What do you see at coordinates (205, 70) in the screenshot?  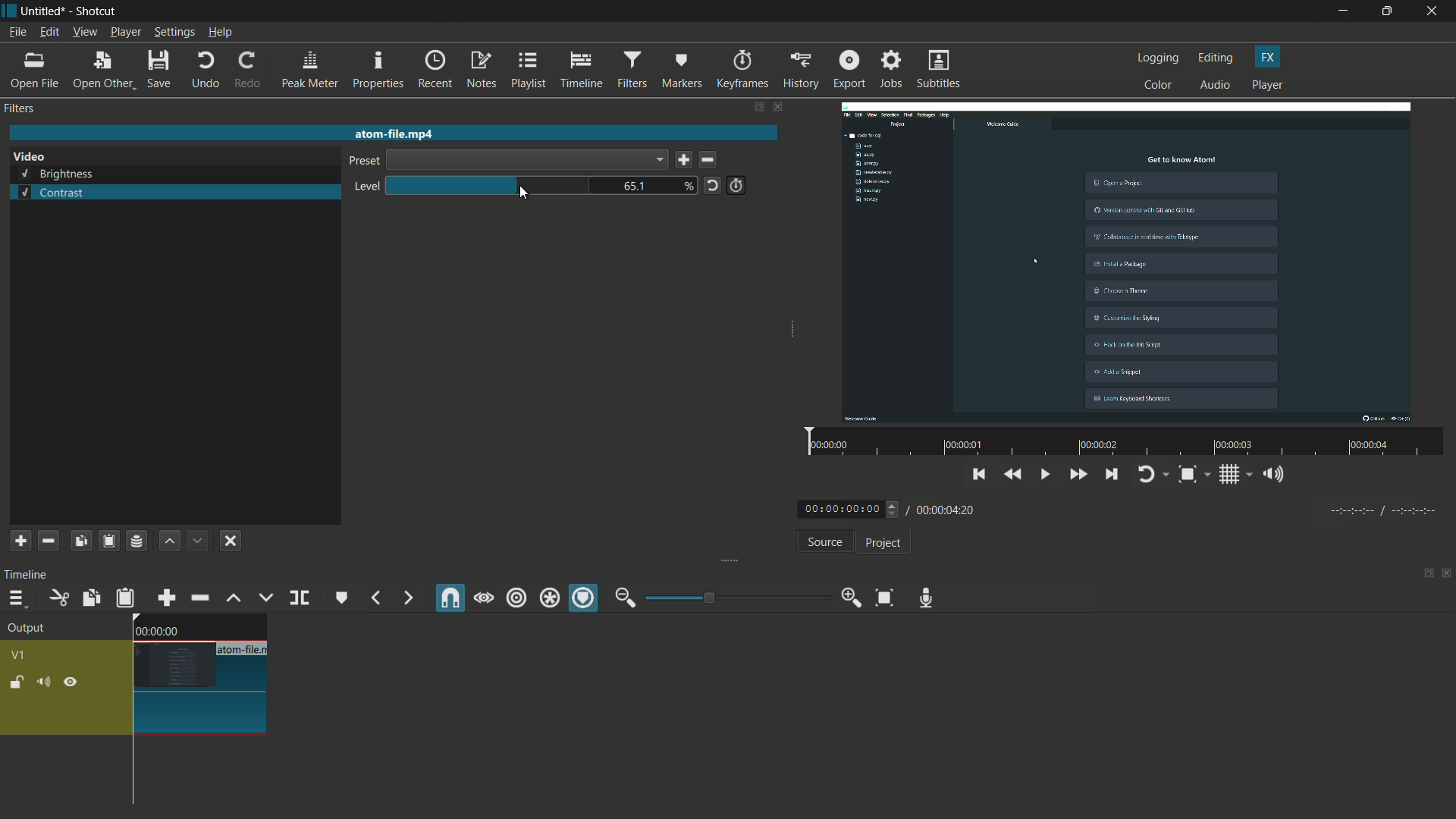 I see `undo` at bounding box center [205, 70].